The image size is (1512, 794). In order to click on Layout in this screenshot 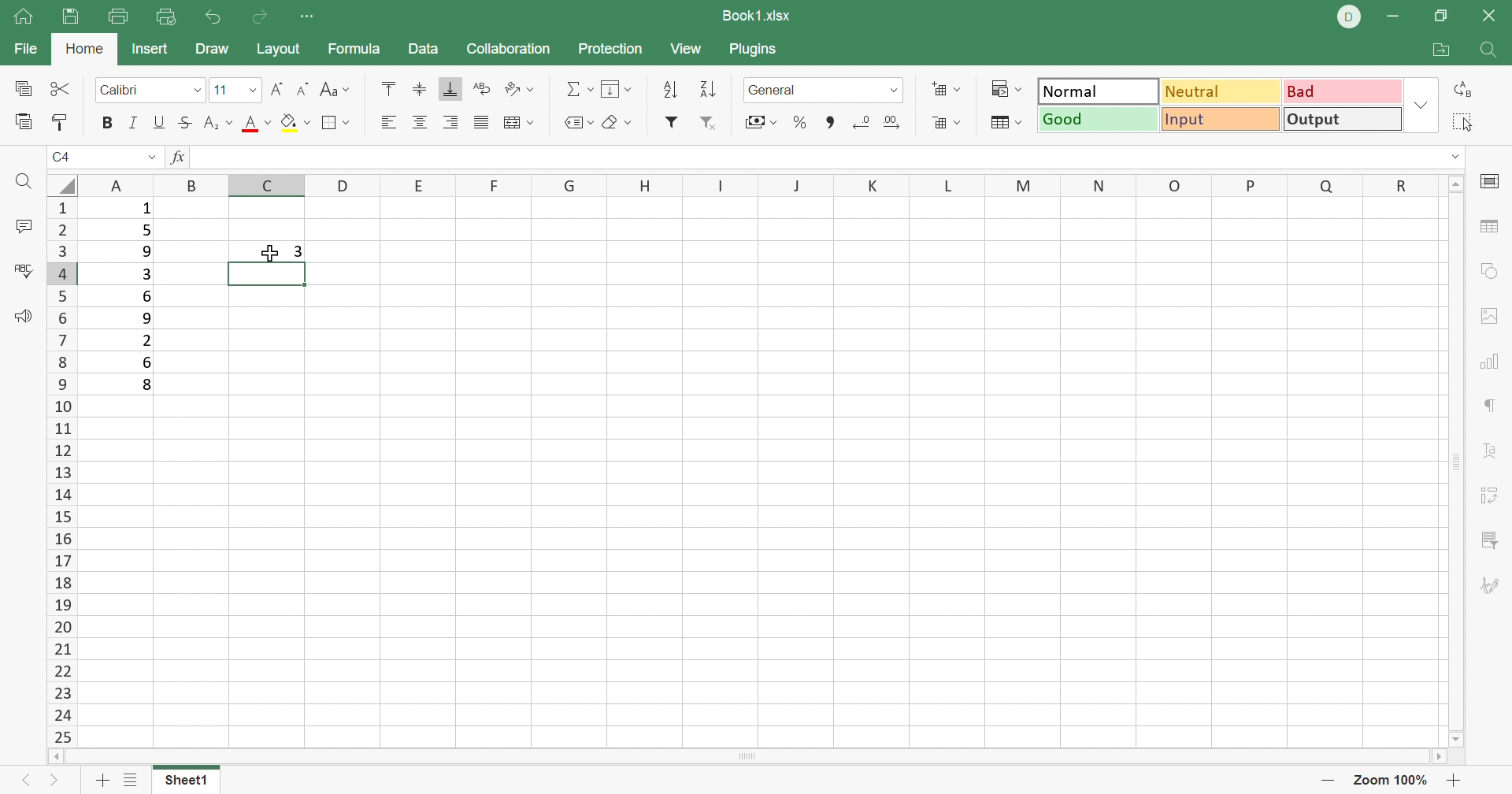, I will do `click(279, 48)`.